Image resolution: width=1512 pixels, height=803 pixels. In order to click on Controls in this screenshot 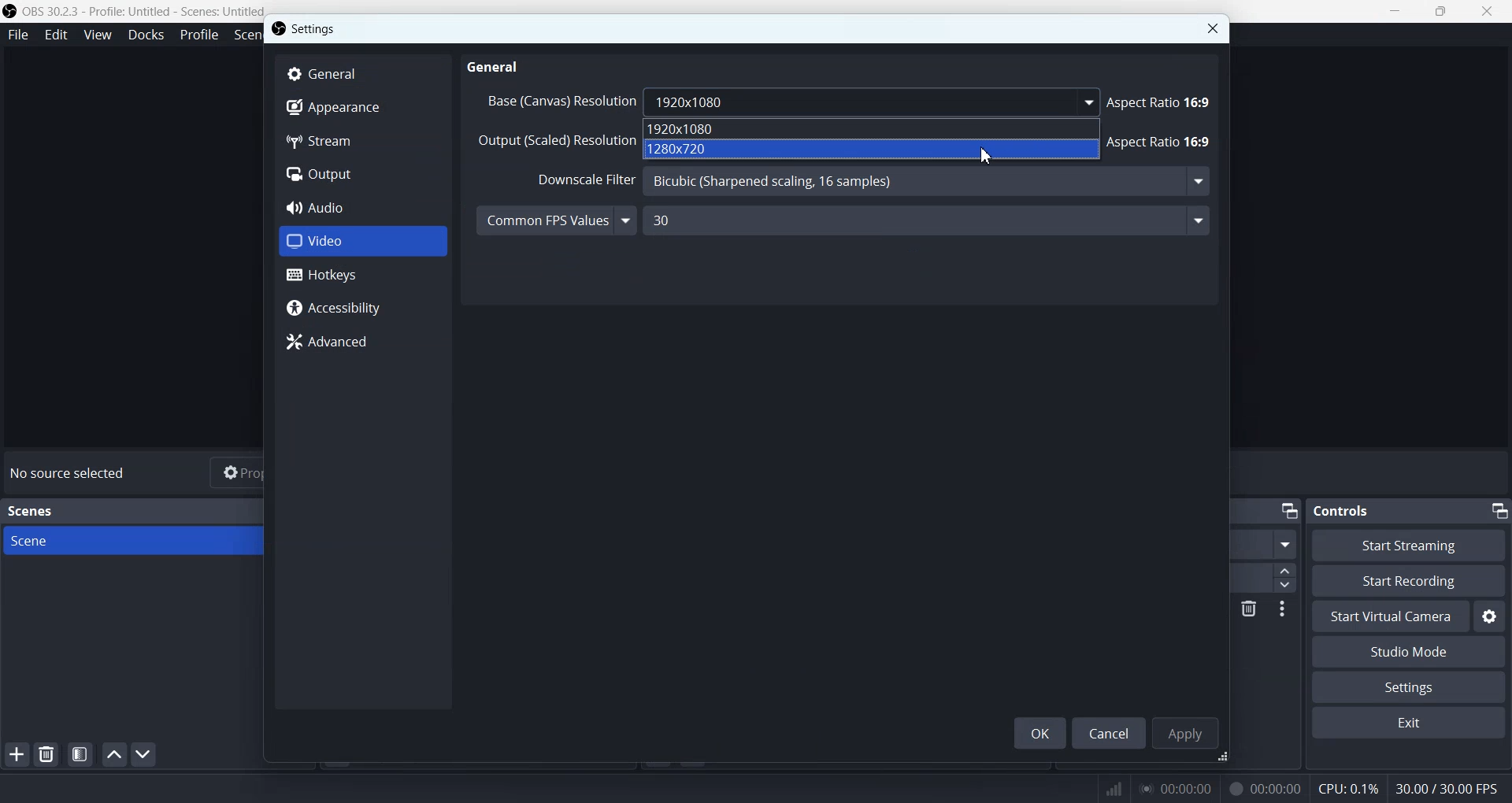, I will do `click(1349, 510)`.